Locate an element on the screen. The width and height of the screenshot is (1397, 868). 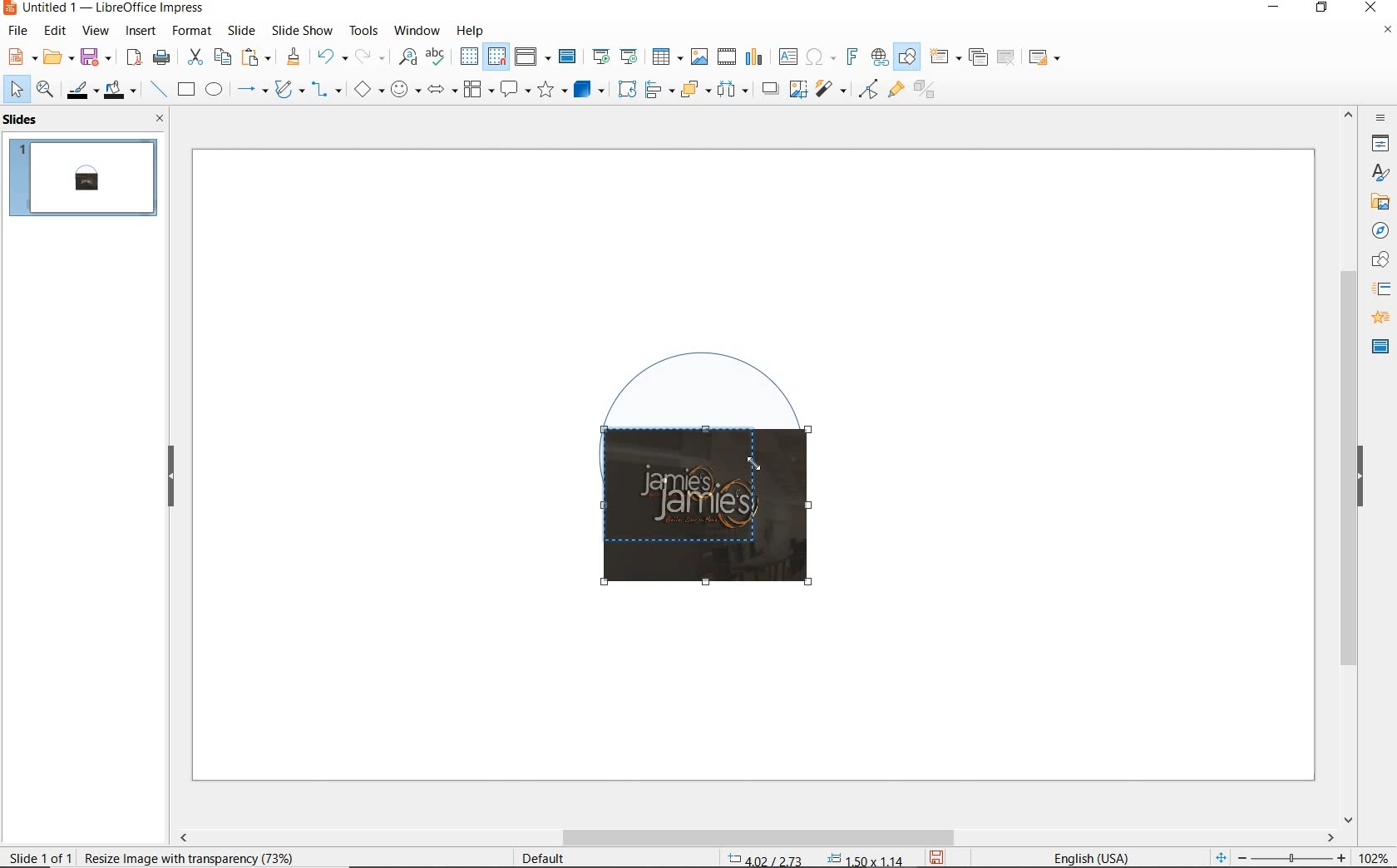
insert line is located at coordinates (157, 90).